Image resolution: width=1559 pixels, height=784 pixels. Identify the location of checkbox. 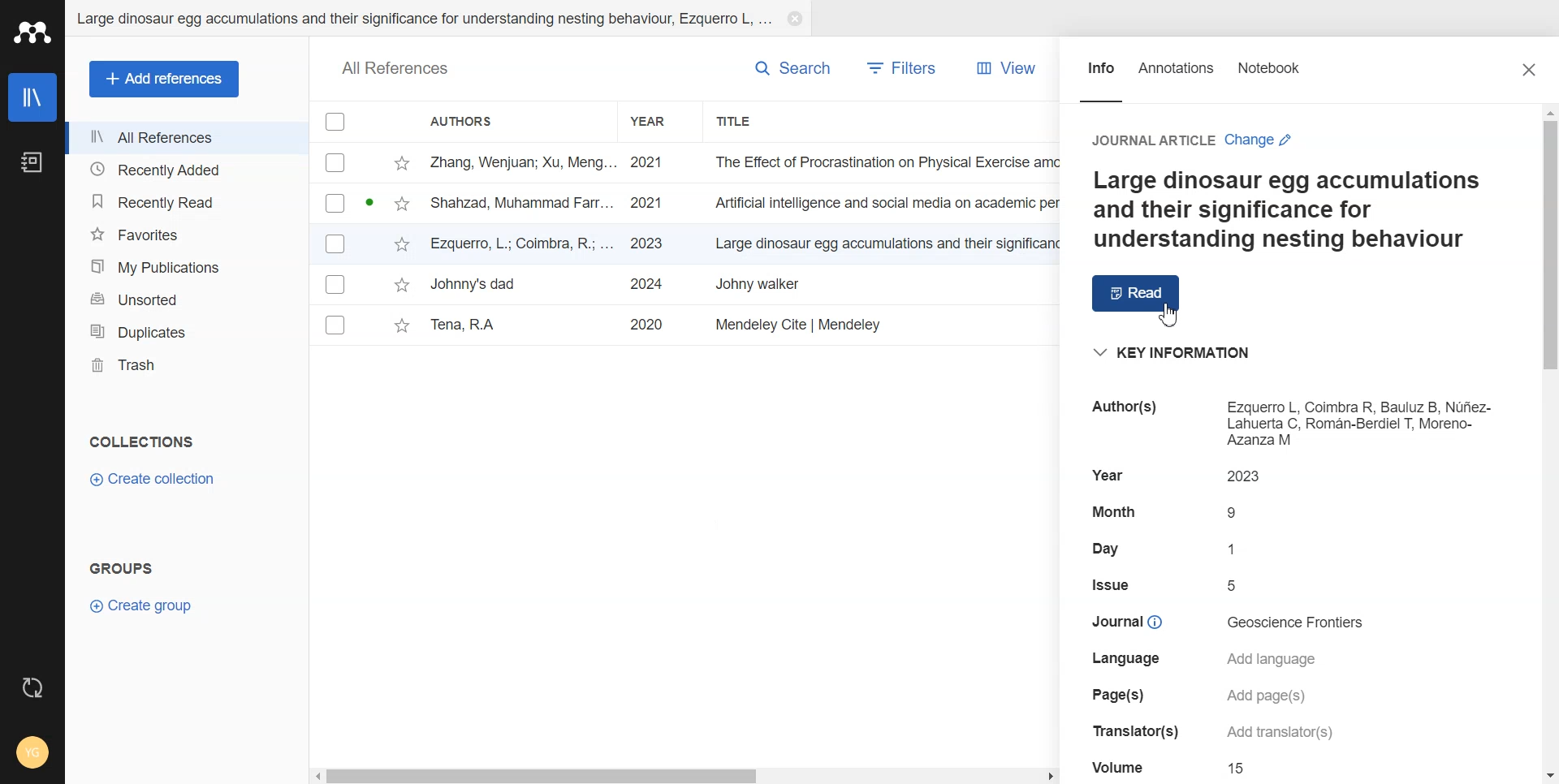
(338, 284).